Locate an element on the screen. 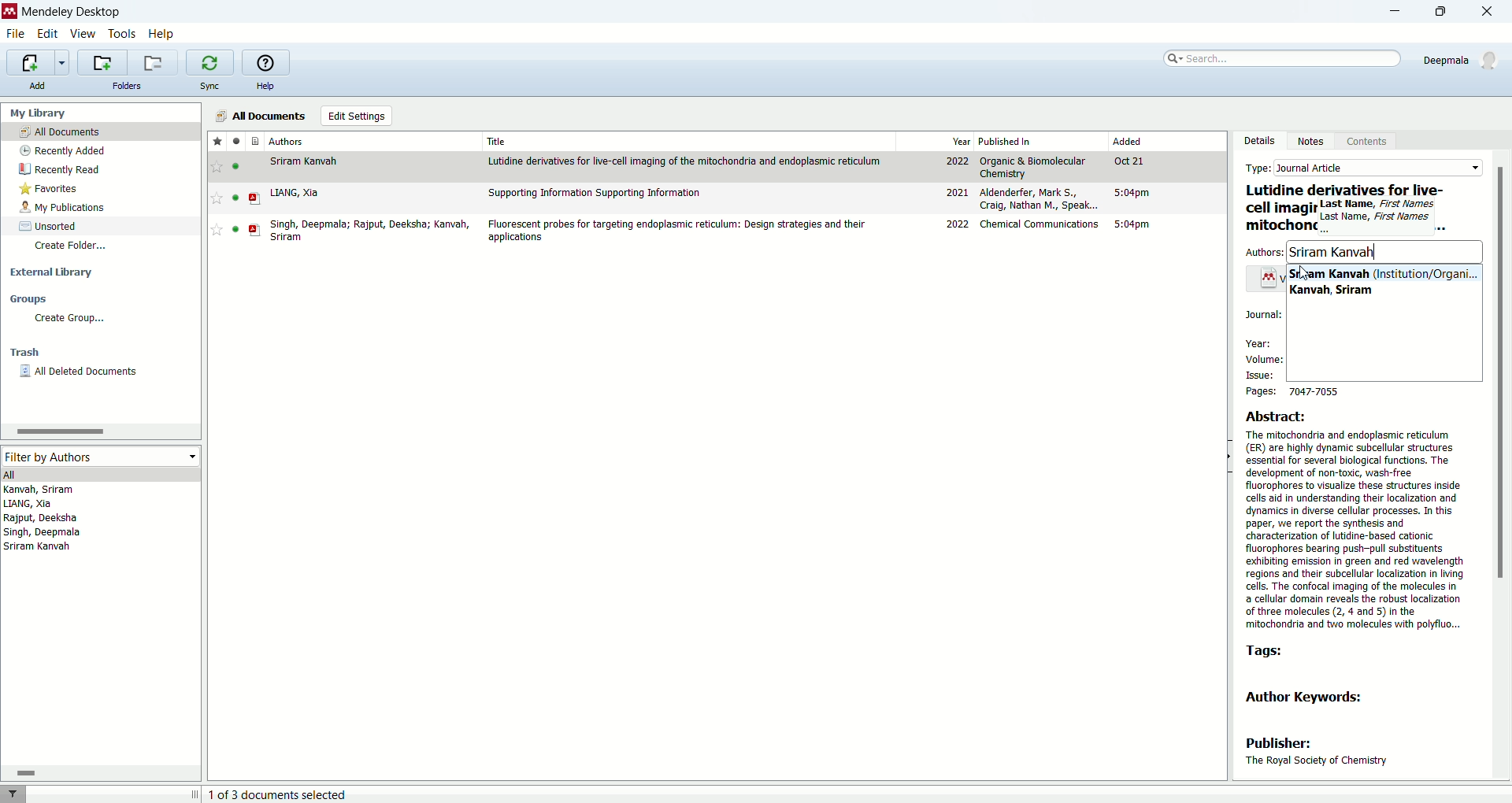  Sriram Kanvah is located at coordinates (41, 546).